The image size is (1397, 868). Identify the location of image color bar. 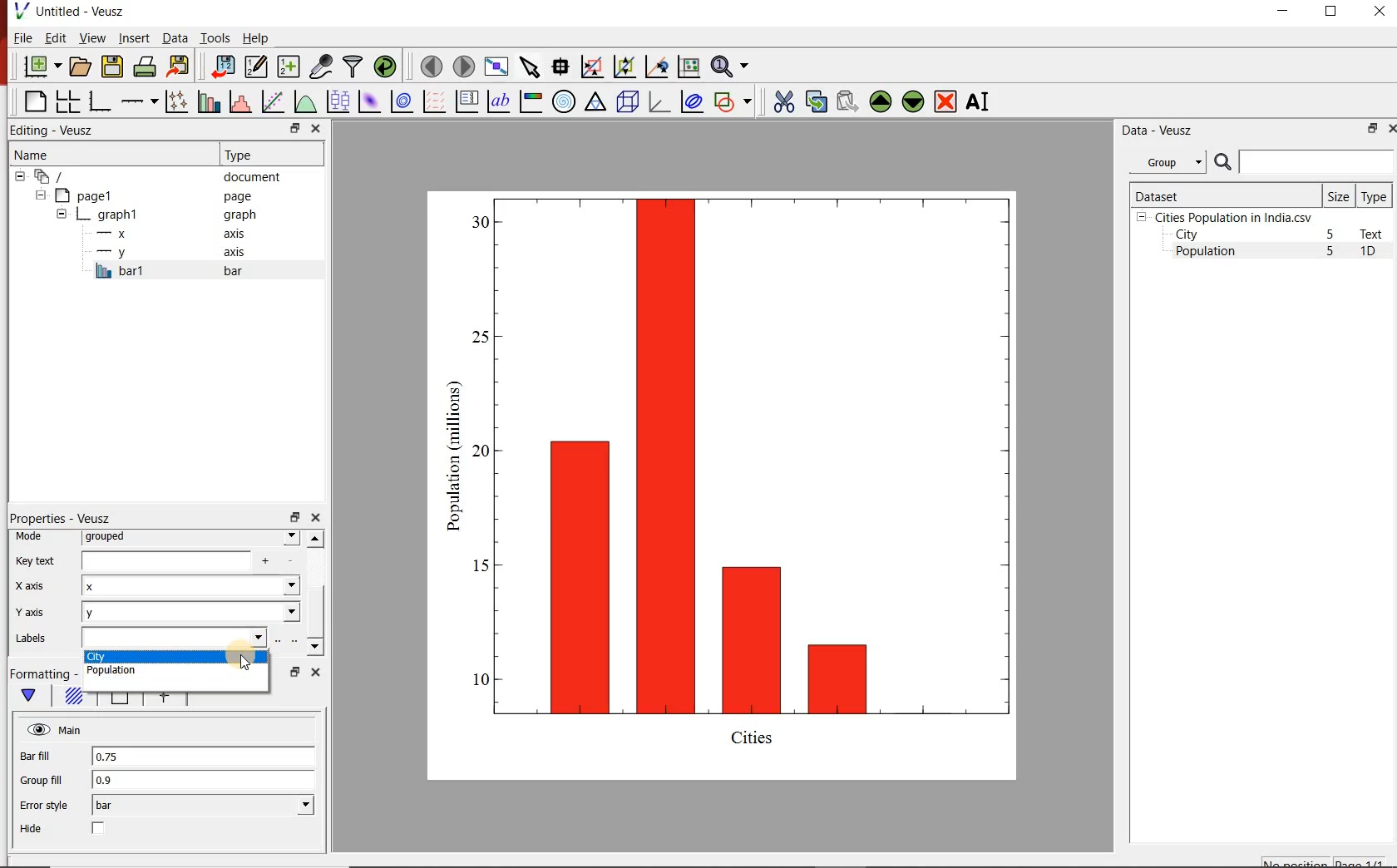
(531, 101).